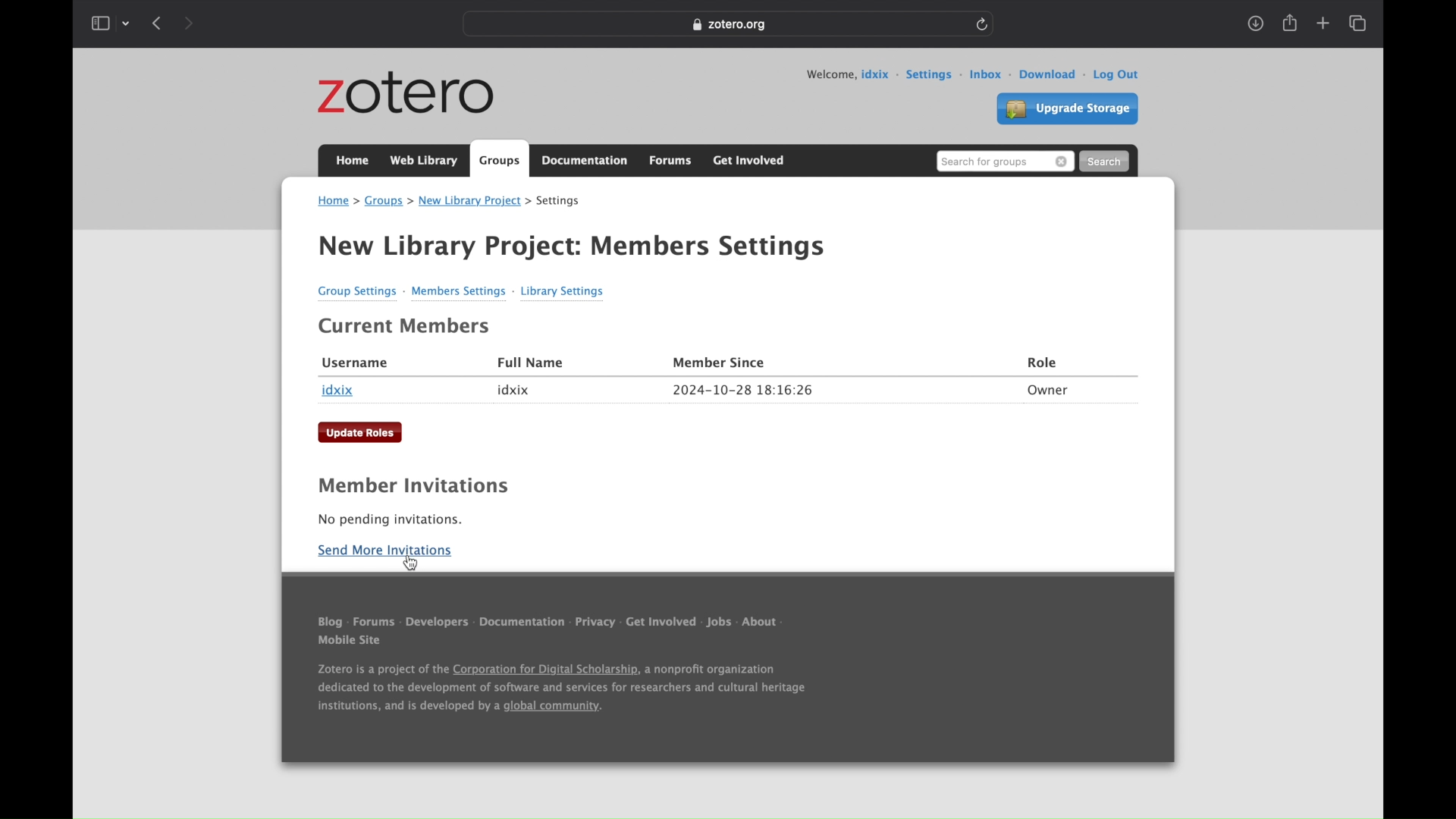 Image resolution: width=1456 pixels, height=819 pixels. Describe the element at coordinates (990, 74) in the screenshot. I see `inbox` at that location.